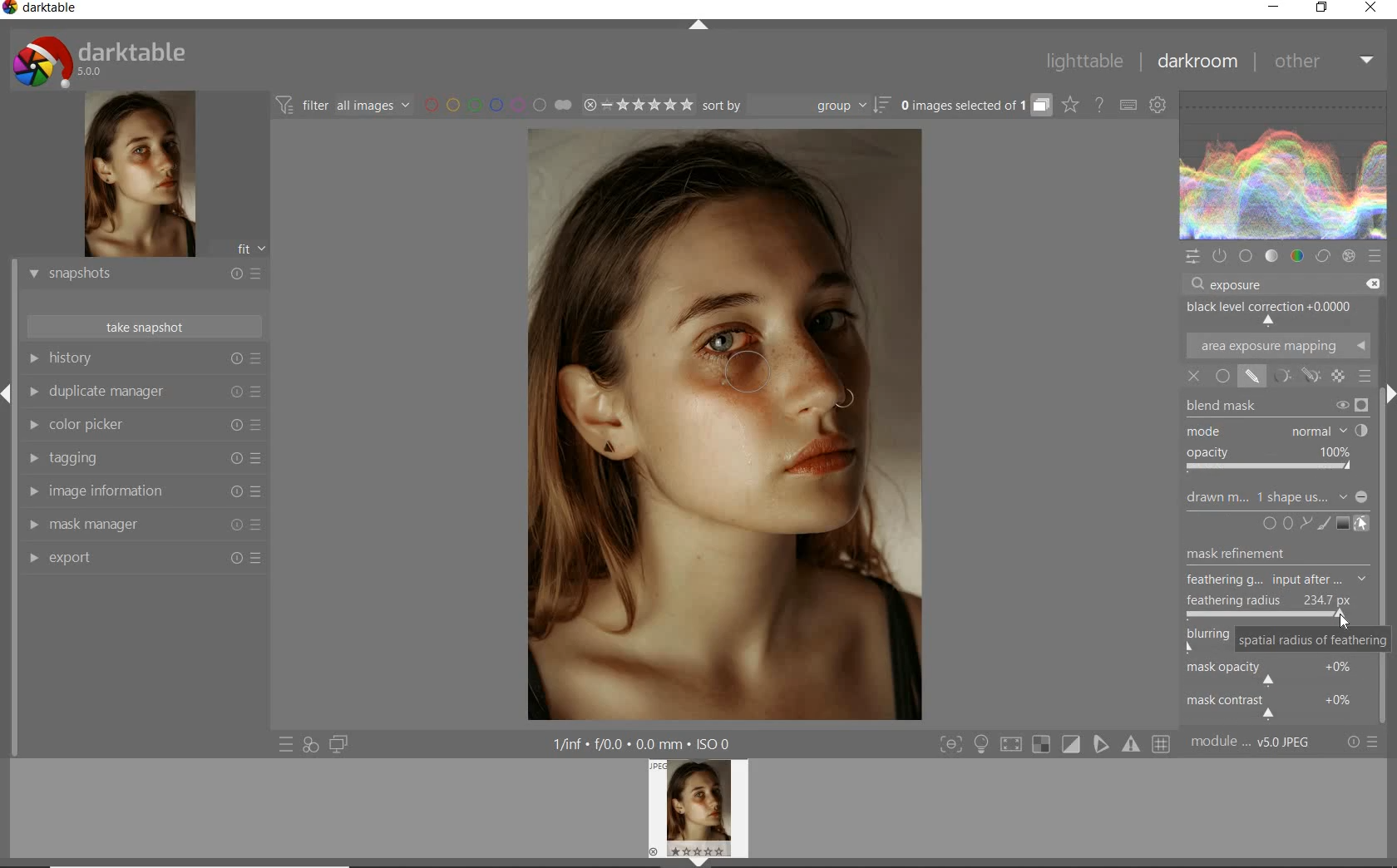 The image size is (1397, 868). What do you see at coordinates (1271, 256) in the screenshot?
I see `tone` at bounding box center [1271, 256].